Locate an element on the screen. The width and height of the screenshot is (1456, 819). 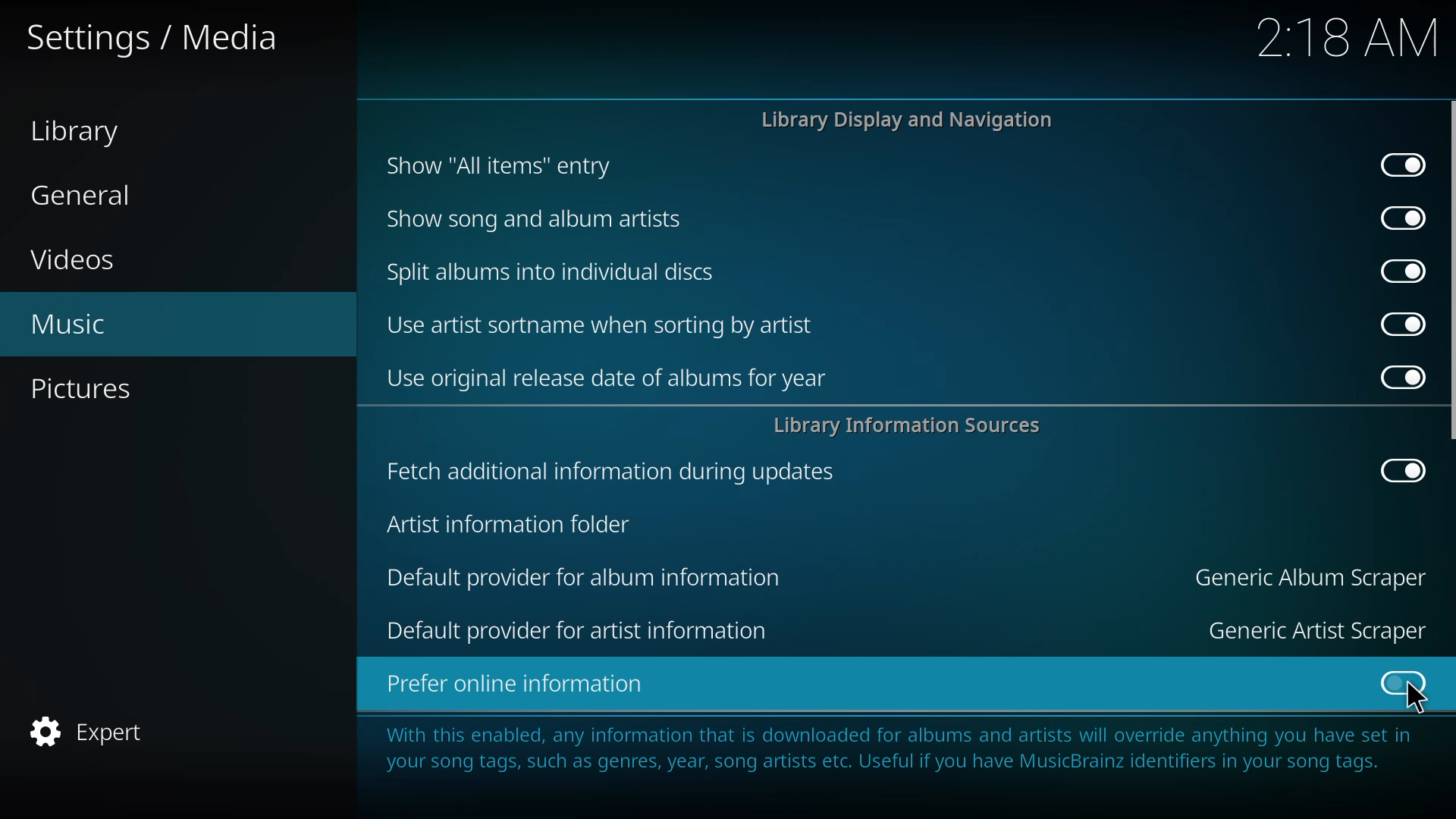
pictures is located at coordinates (92, 391).